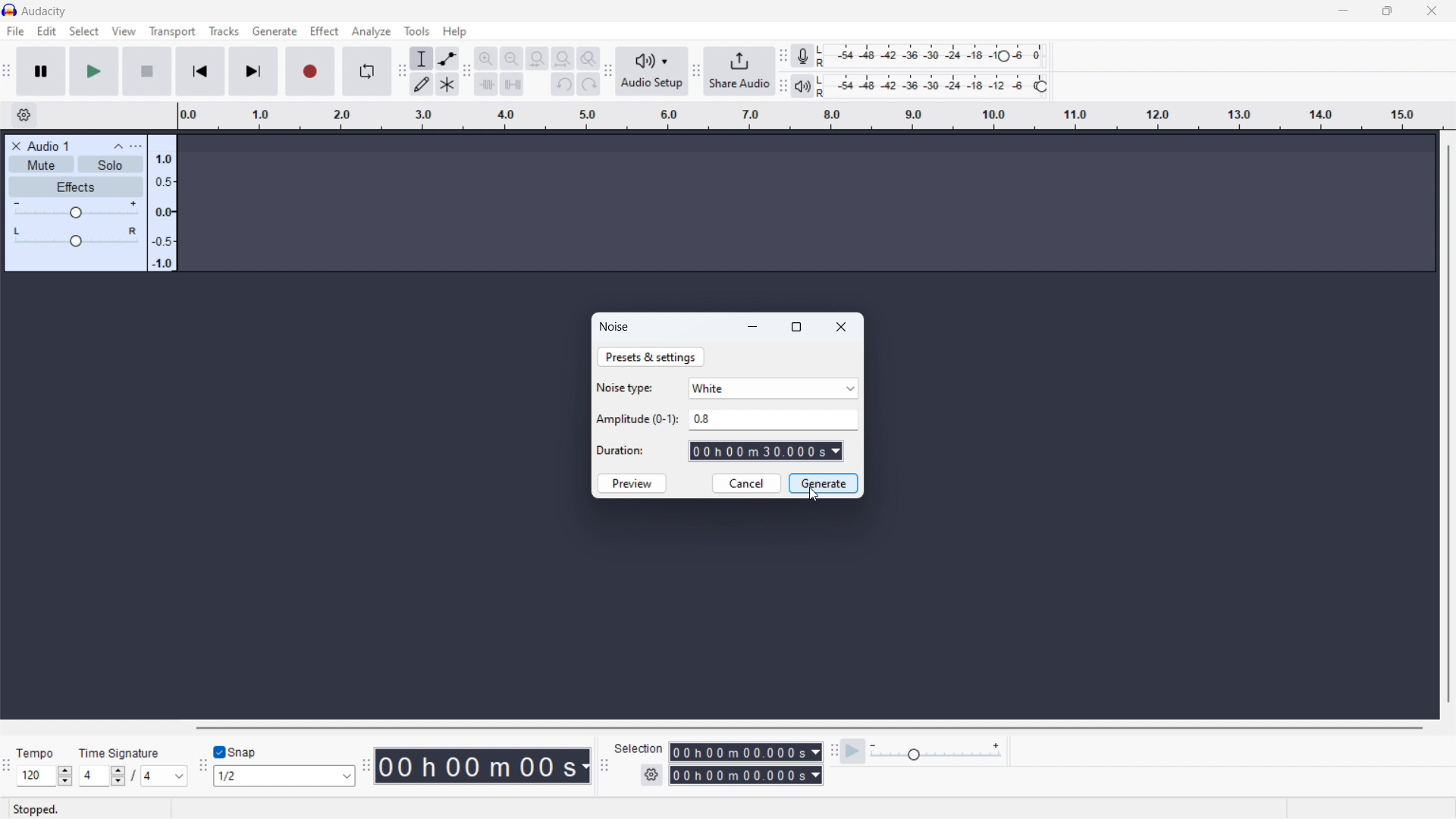  I want to click on snapping toolbar, so click(202, 764).